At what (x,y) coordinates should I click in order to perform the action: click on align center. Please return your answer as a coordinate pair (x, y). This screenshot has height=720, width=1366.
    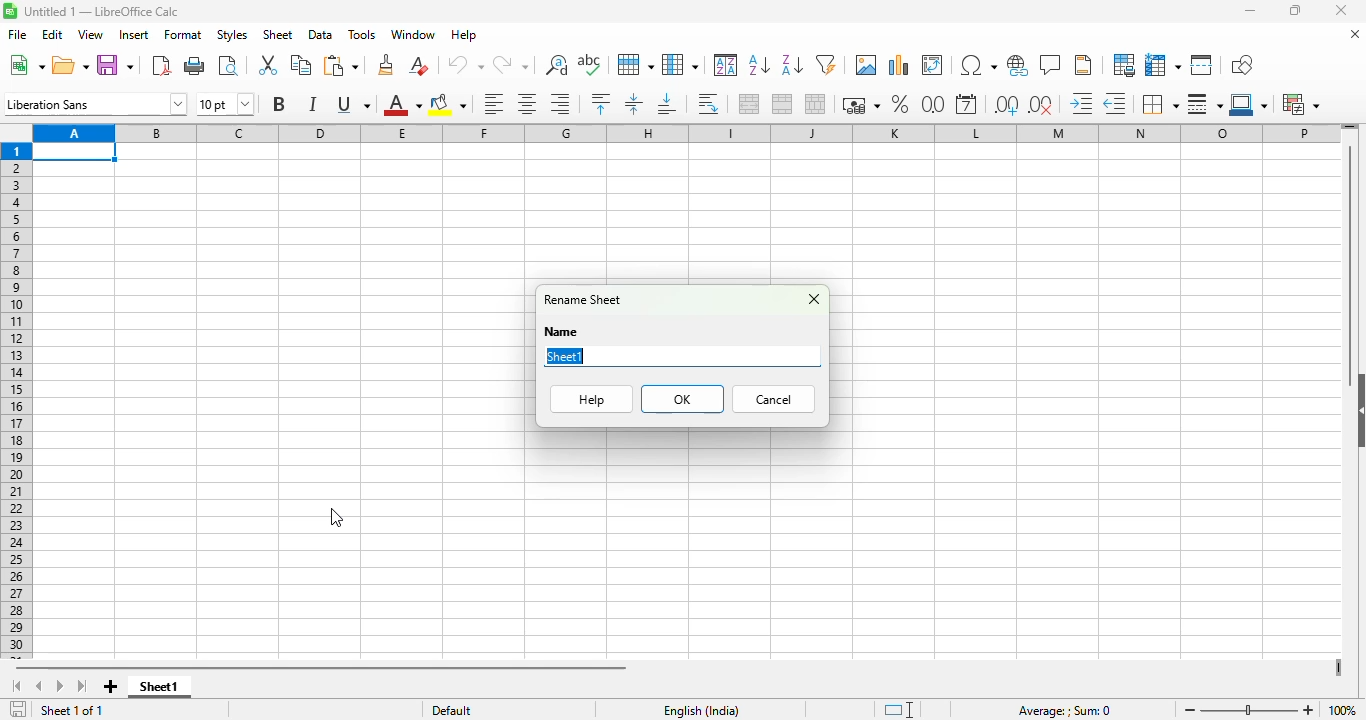
    Looking at the image, I should click on (528, 104).